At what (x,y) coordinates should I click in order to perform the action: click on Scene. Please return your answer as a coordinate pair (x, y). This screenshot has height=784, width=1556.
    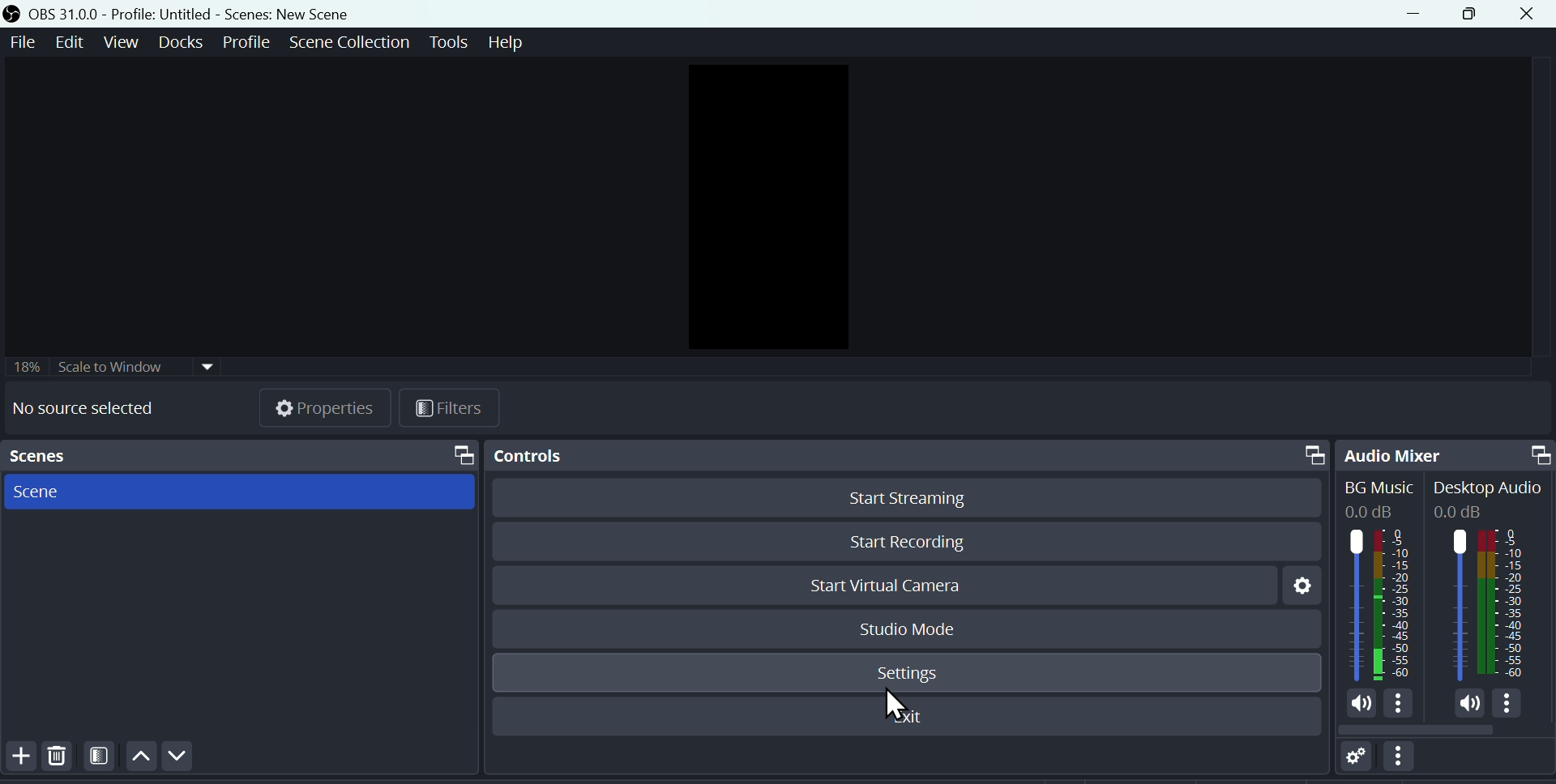
    Looking at the image, I should click on (35, 492).